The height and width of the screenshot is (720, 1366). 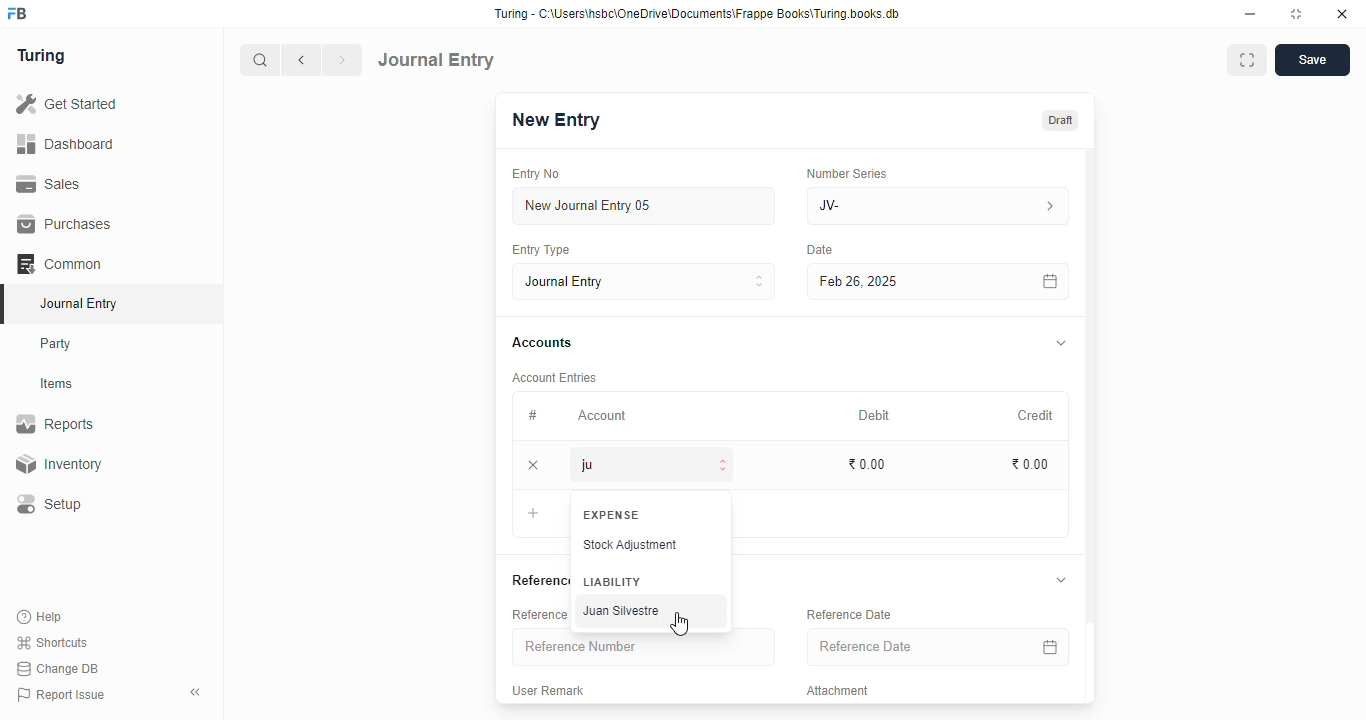 What do you see at coordinates (1049, 281) in the screenshot?
I see `calendar icon` at bounding box center [1049, 281].